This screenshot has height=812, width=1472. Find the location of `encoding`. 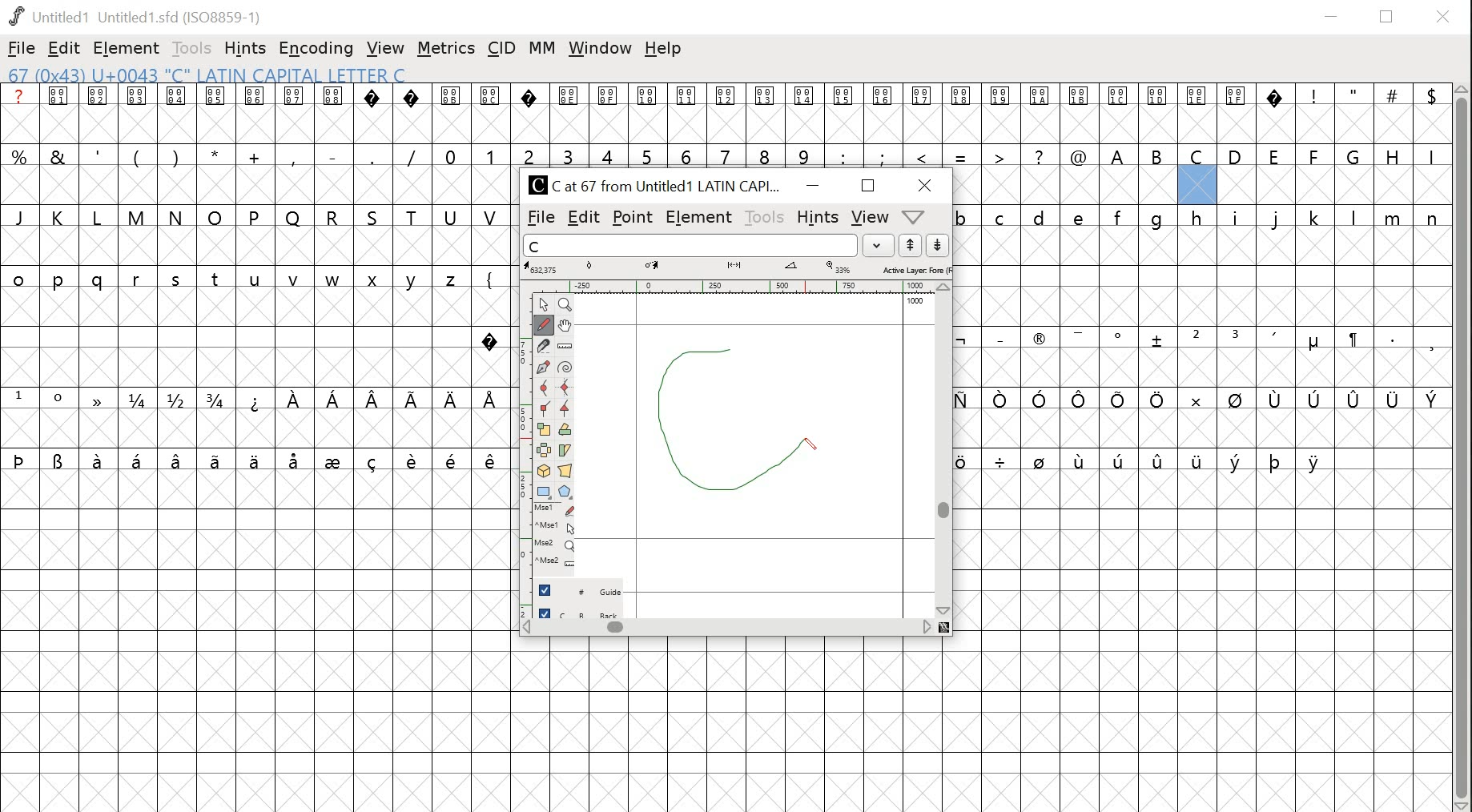

encoding is located at coordinates (315, 50).